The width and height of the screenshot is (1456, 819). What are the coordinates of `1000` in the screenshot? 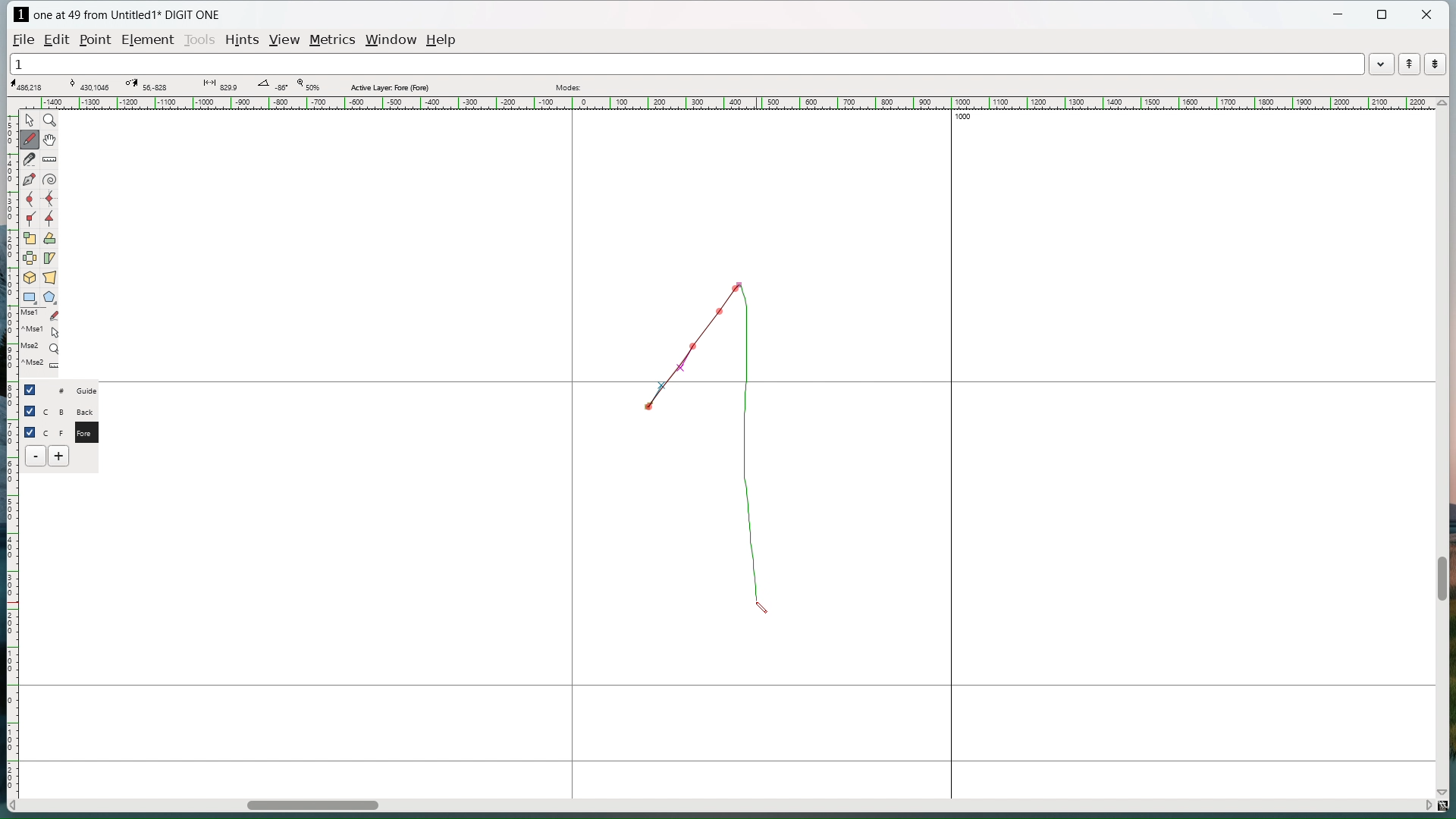 It's located at (970, 118).